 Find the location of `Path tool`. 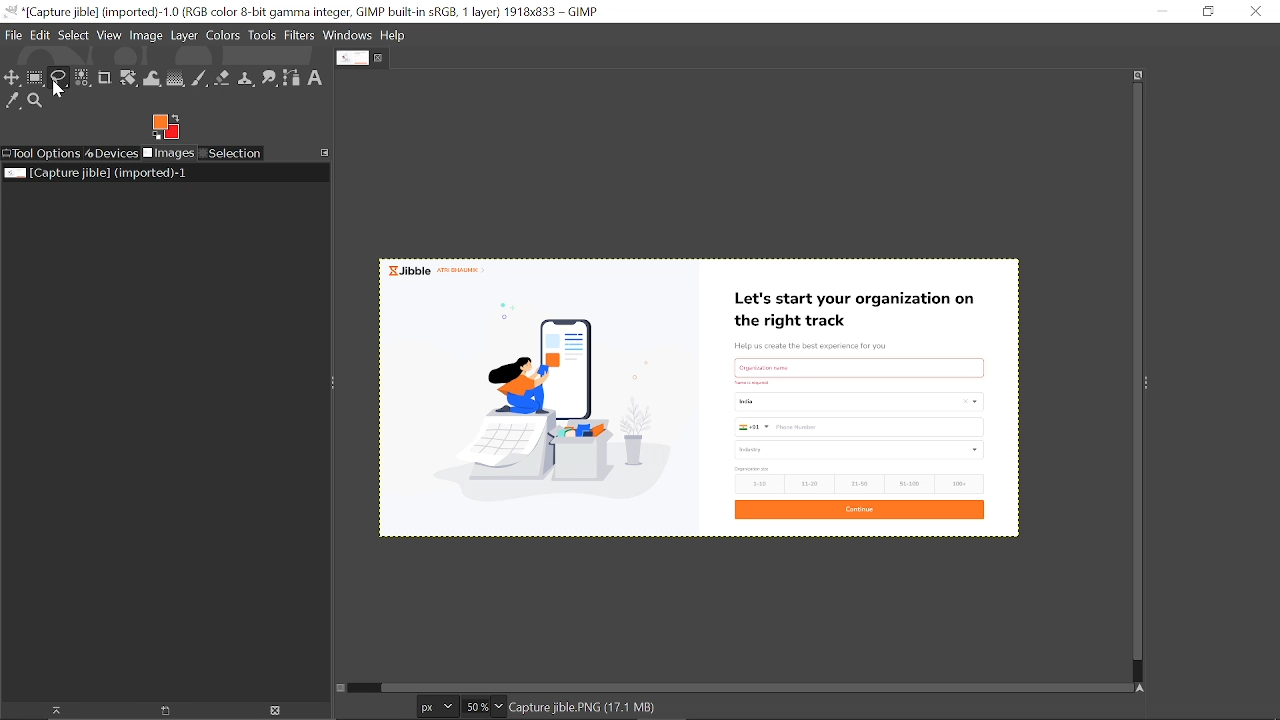

Path tool is located at coordinates (292, 78).